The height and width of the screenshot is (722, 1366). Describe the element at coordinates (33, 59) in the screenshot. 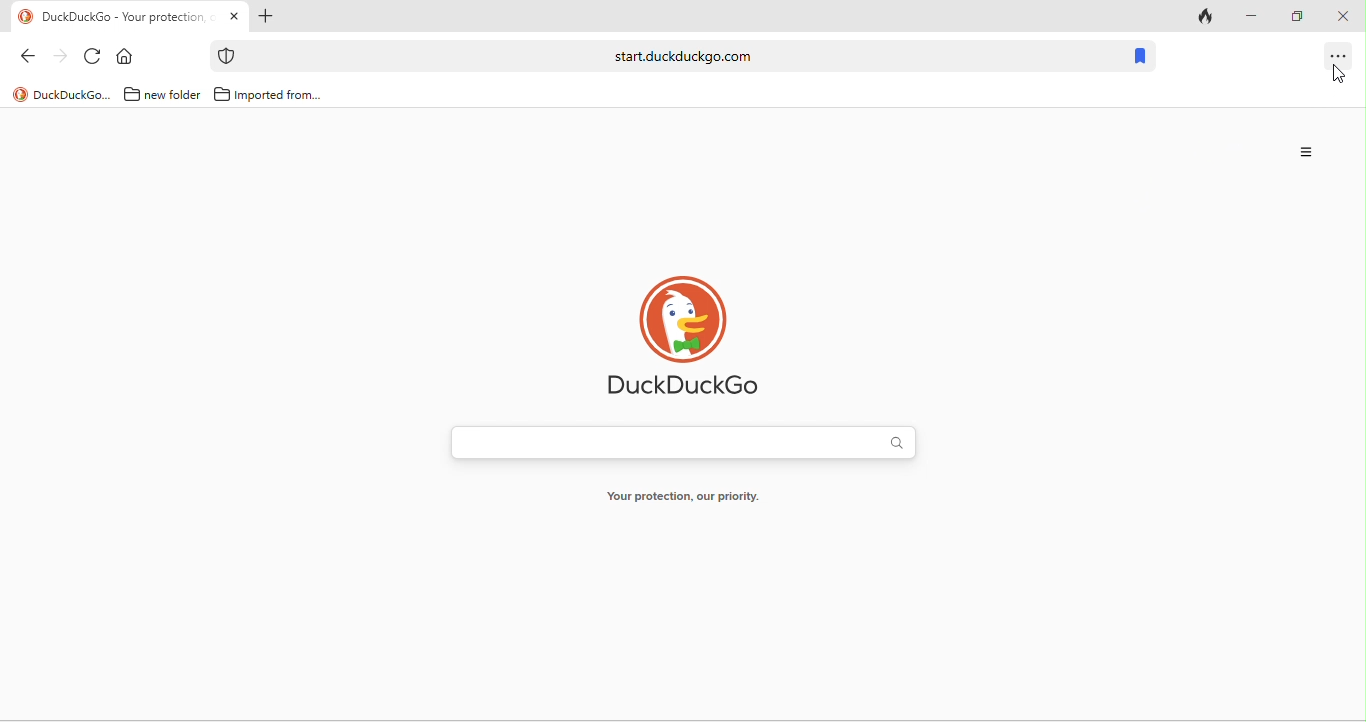

I see `back` at that location.